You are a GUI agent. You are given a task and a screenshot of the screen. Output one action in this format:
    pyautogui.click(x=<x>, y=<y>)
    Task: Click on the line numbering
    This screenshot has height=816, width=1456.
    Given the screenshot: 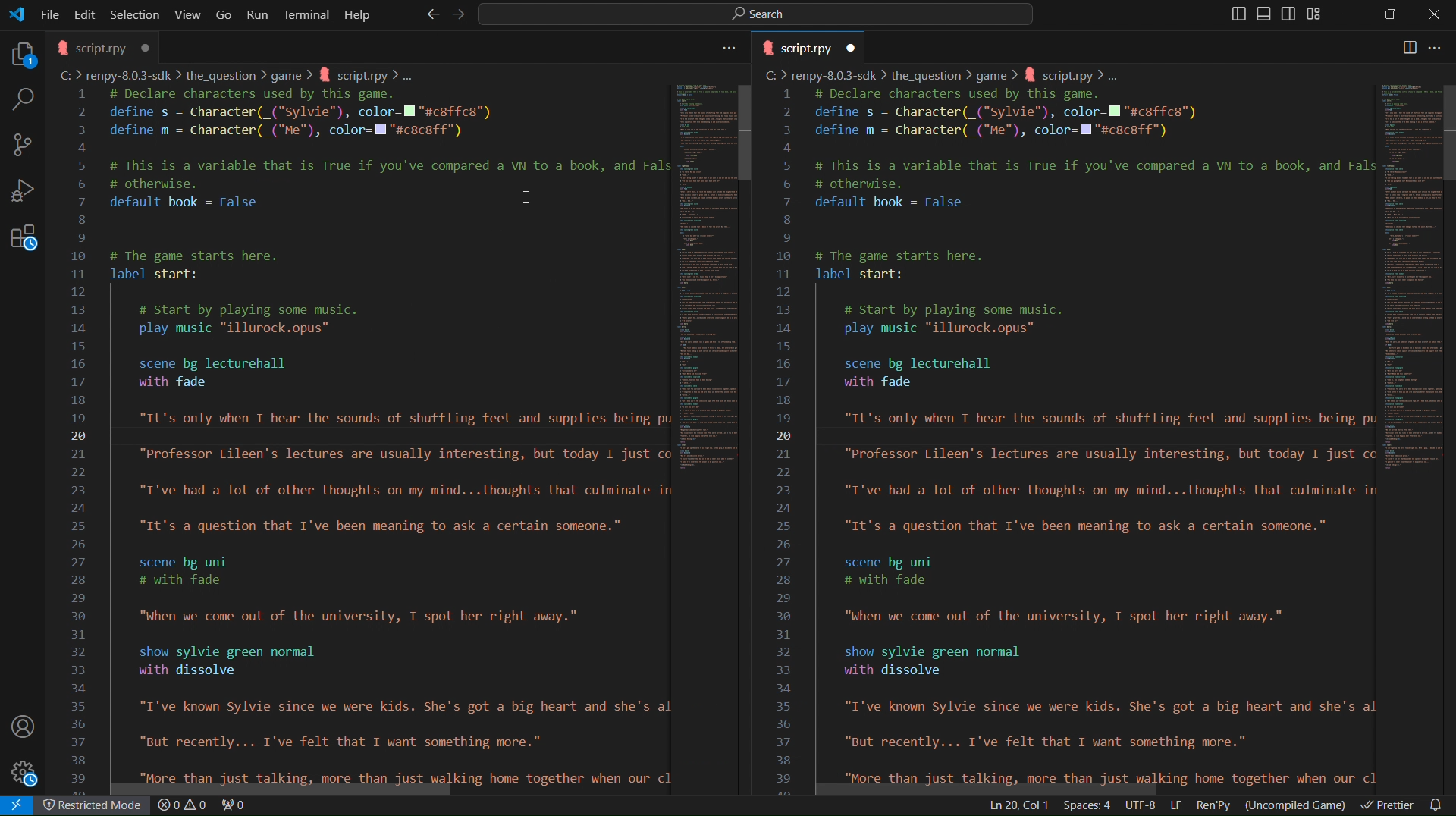 What is the action you would take?
    pyautogui.click(x=786, y=441)
    